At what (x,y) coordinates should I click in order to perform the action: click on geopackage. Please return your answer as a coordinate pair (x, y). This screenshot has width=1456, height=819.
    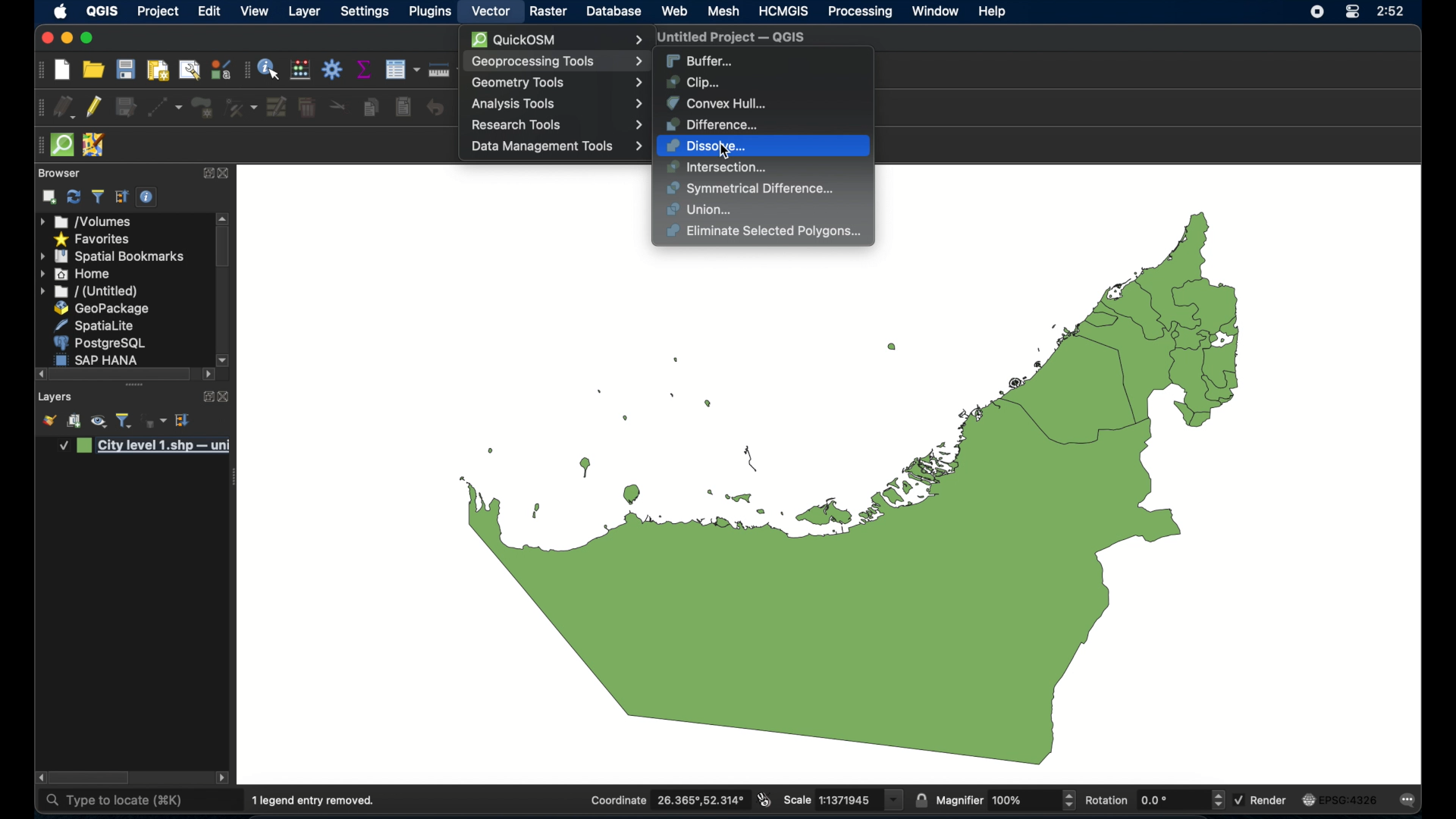
    Looking at the image, I should click on (102, 308).